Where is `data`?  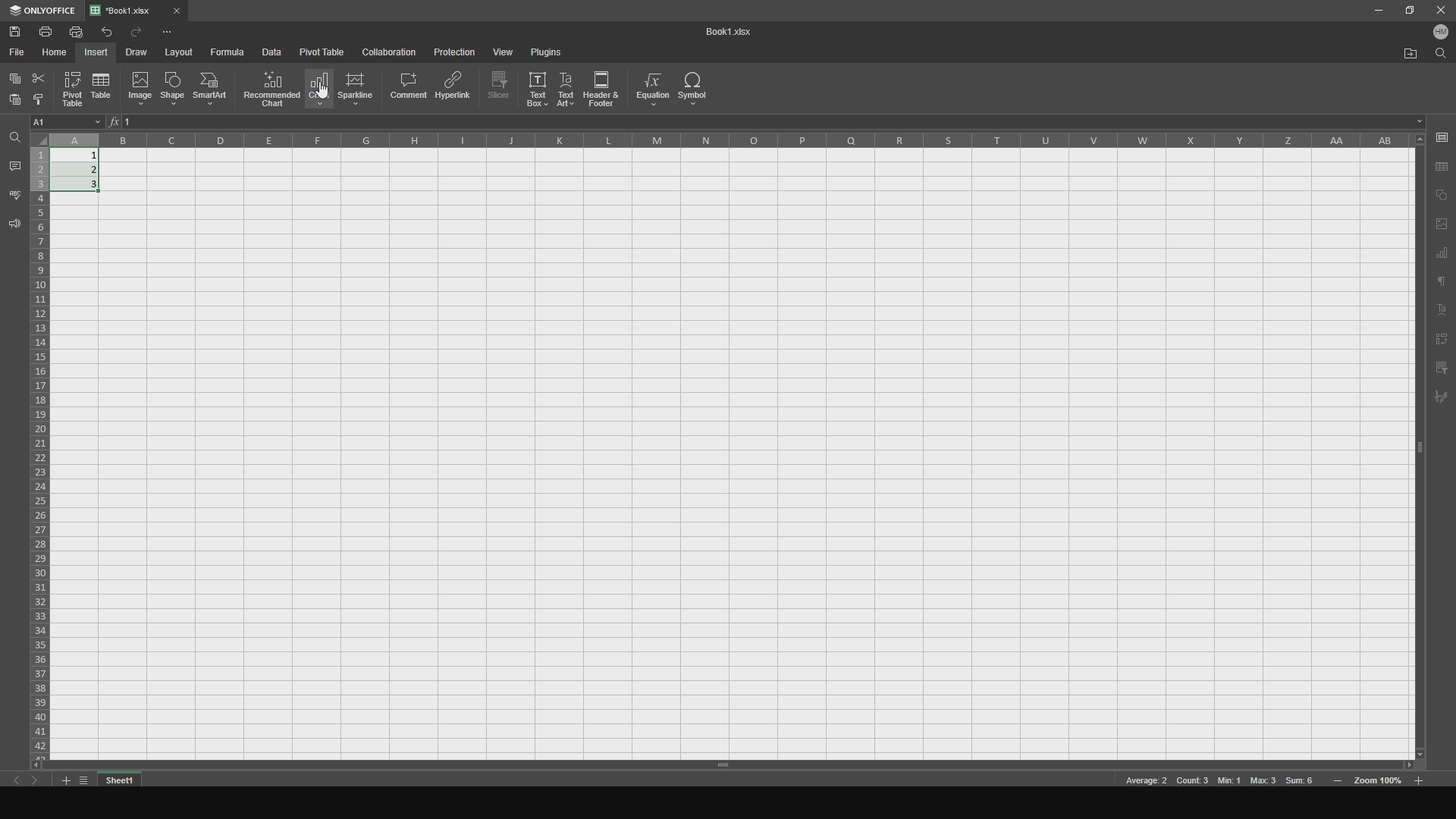 data is located at coordinates (277, 52).